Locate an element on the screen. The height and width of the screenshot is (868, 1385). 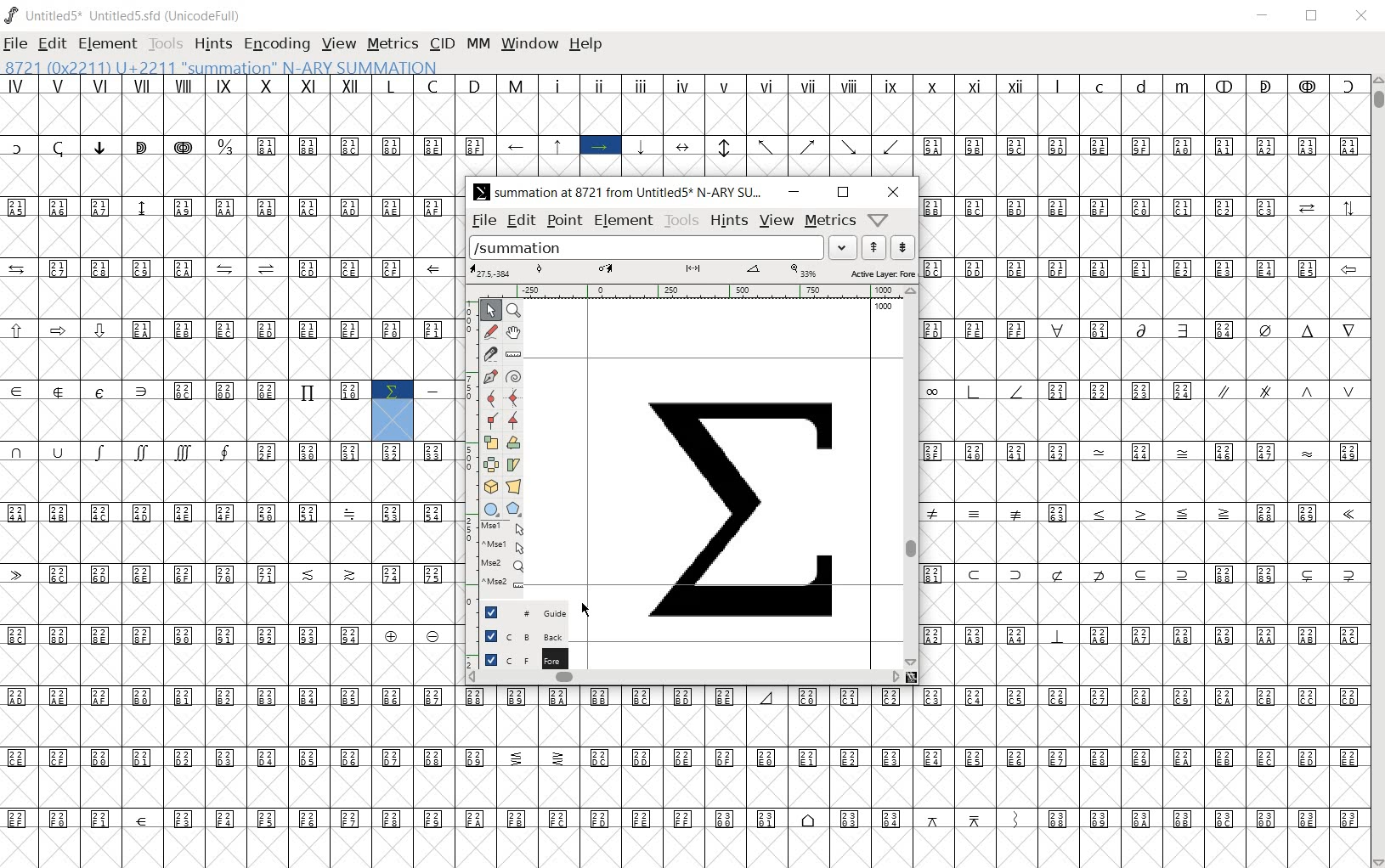
CID is located at coordinates (440, 44).